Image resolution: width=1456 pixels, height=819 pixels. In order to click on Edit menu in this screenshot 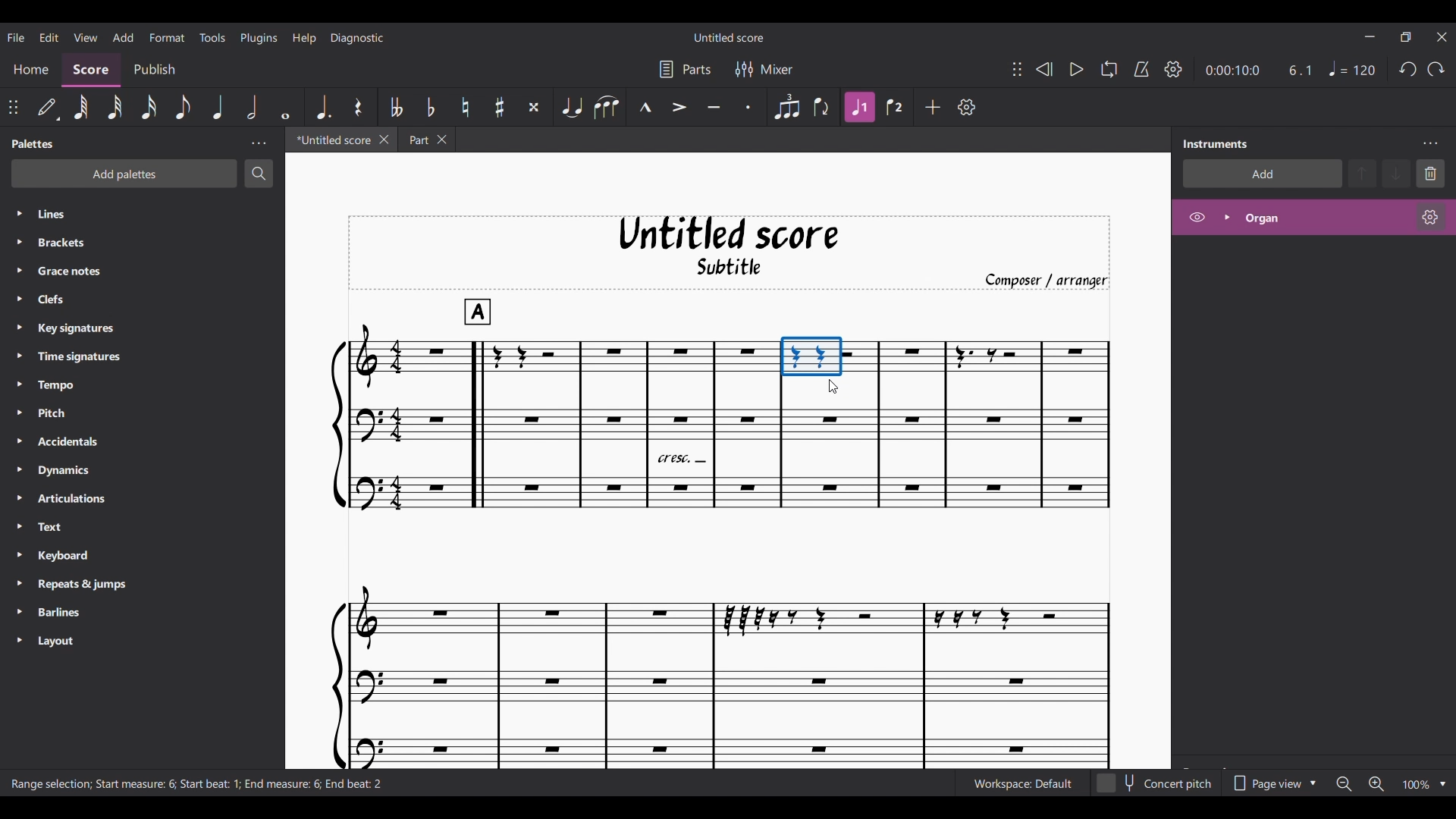, I will do `click(49, 36)`.